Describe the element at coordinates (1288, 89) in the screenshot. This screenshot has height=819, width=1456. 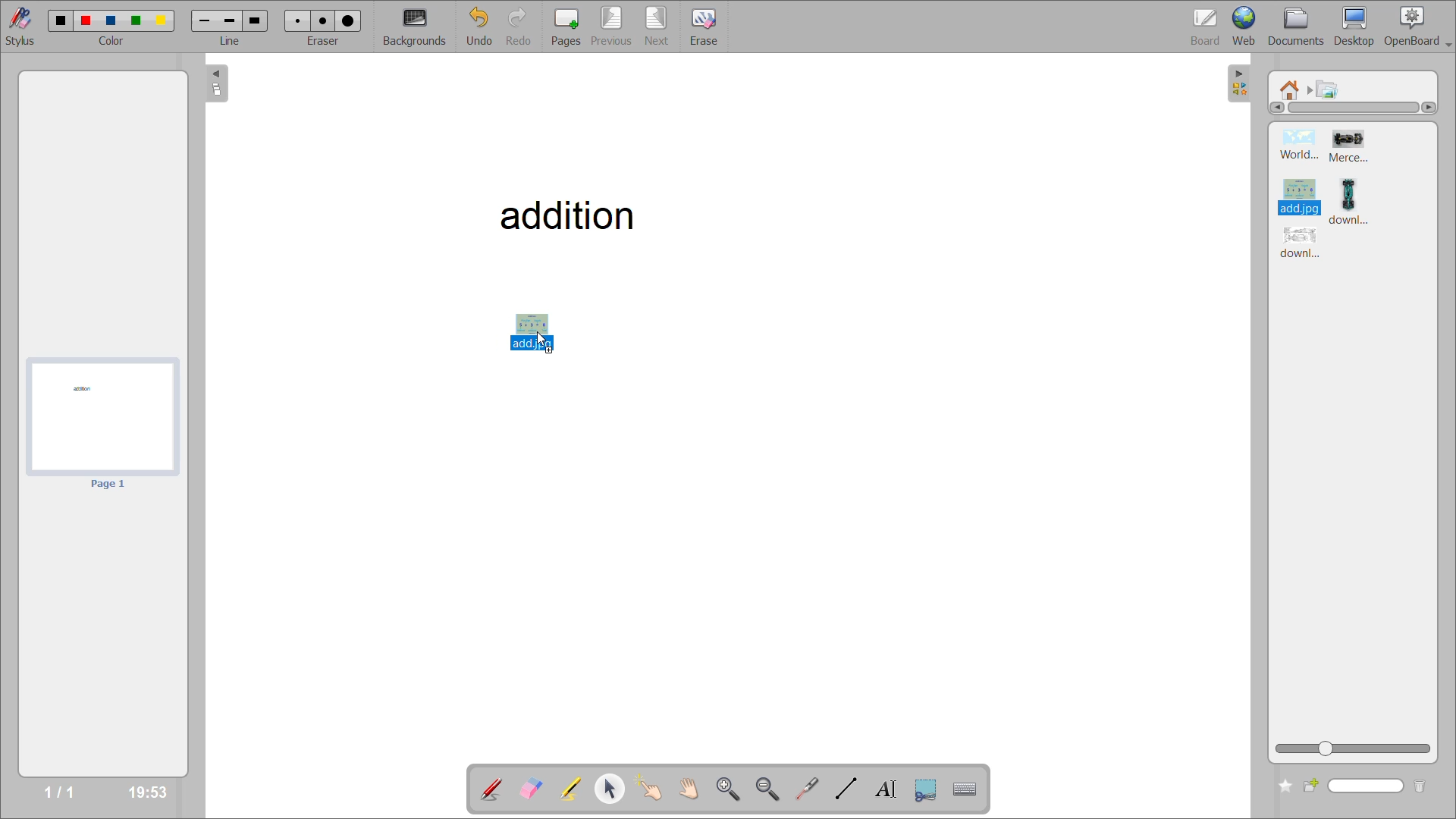
I see `root` at that location.